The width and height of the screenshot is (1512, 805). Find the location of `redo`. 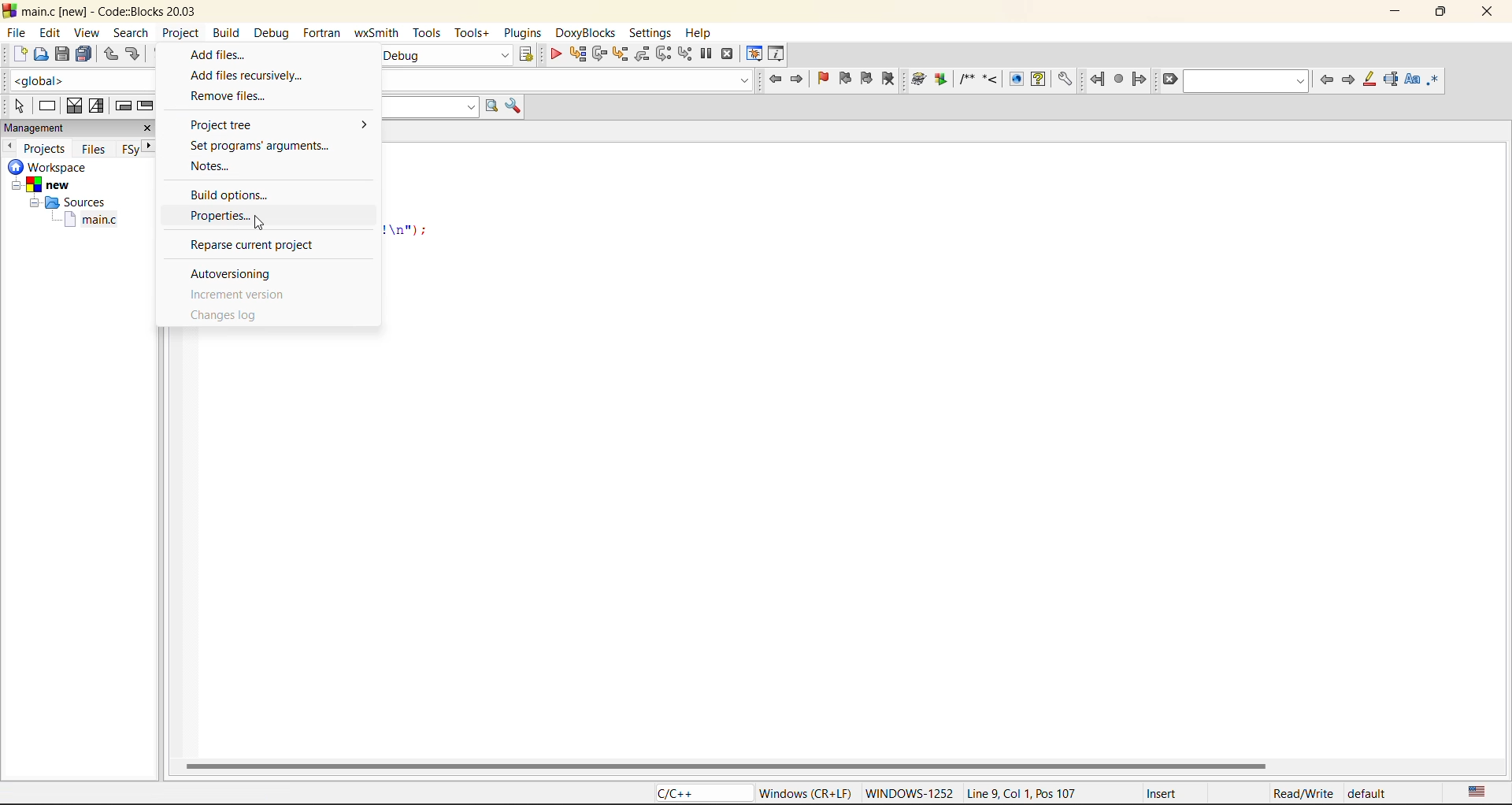

redo is located at coordinates (135, 54).